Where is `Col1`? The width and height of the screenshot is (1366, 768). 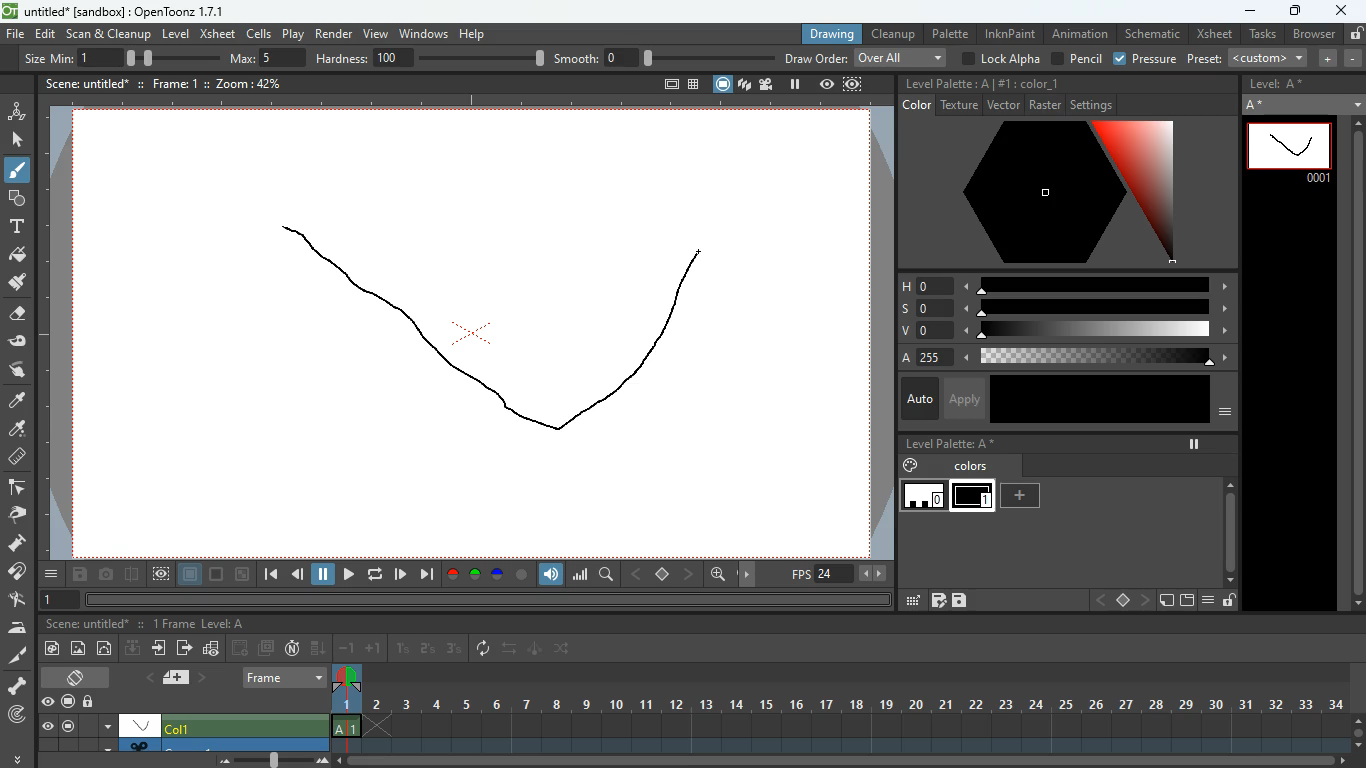
Col1 is located at coordinates (186, 728).